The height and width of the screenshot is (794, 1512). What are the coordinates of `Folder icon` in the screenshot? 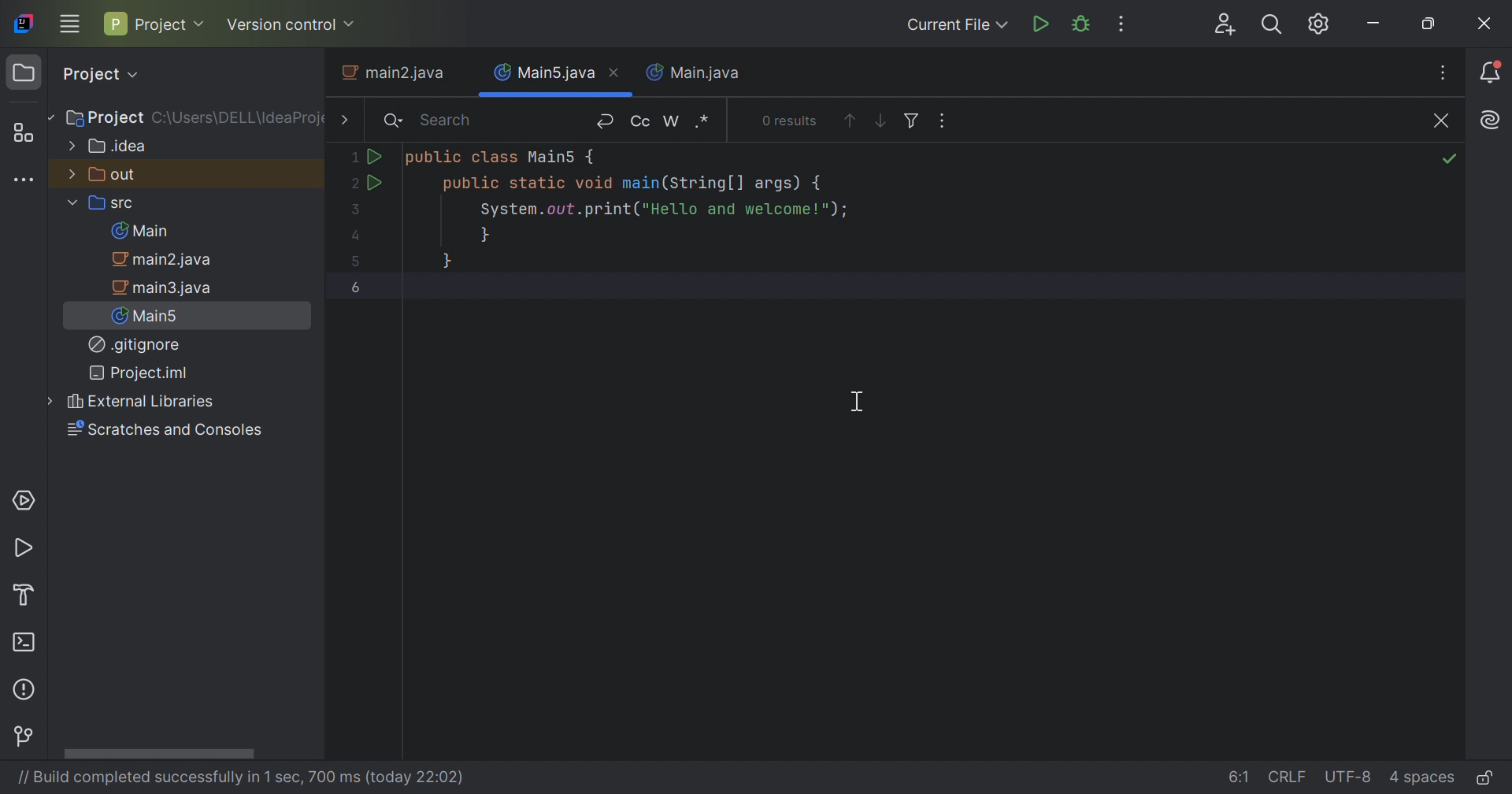 It's located at (23, 72).